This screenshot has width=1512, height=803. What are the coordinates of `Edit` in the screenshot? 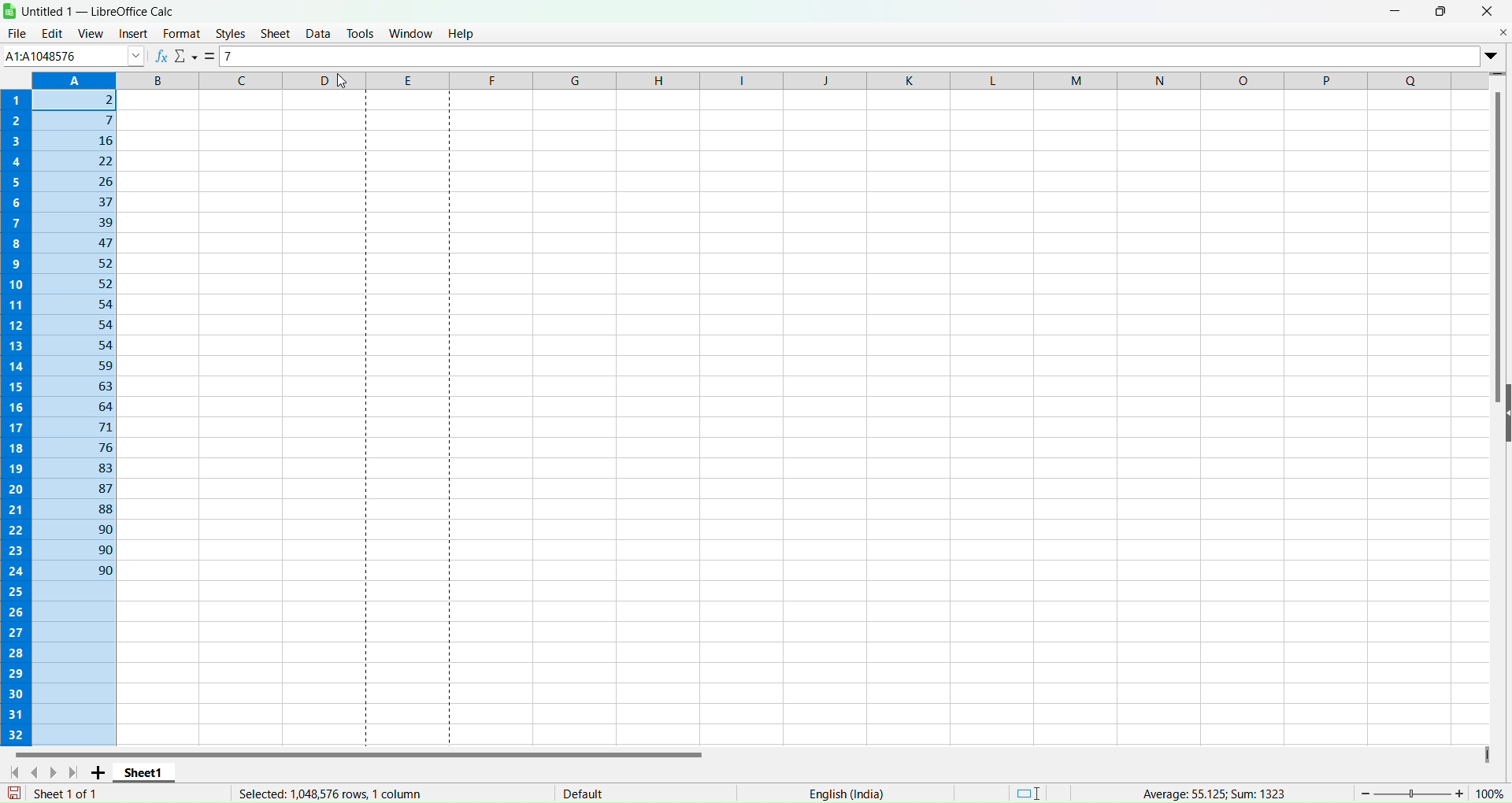 It's located at (51, 33).